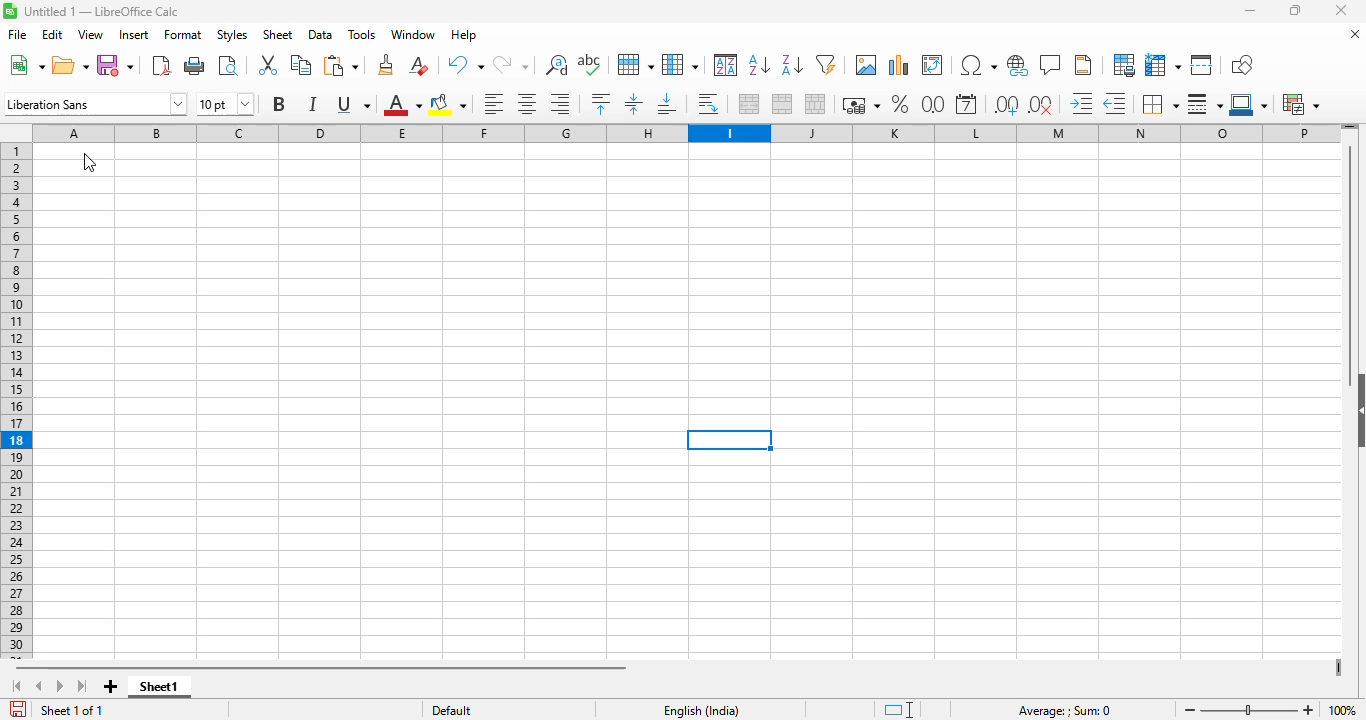  I want to click on edit, so click(52, 35).